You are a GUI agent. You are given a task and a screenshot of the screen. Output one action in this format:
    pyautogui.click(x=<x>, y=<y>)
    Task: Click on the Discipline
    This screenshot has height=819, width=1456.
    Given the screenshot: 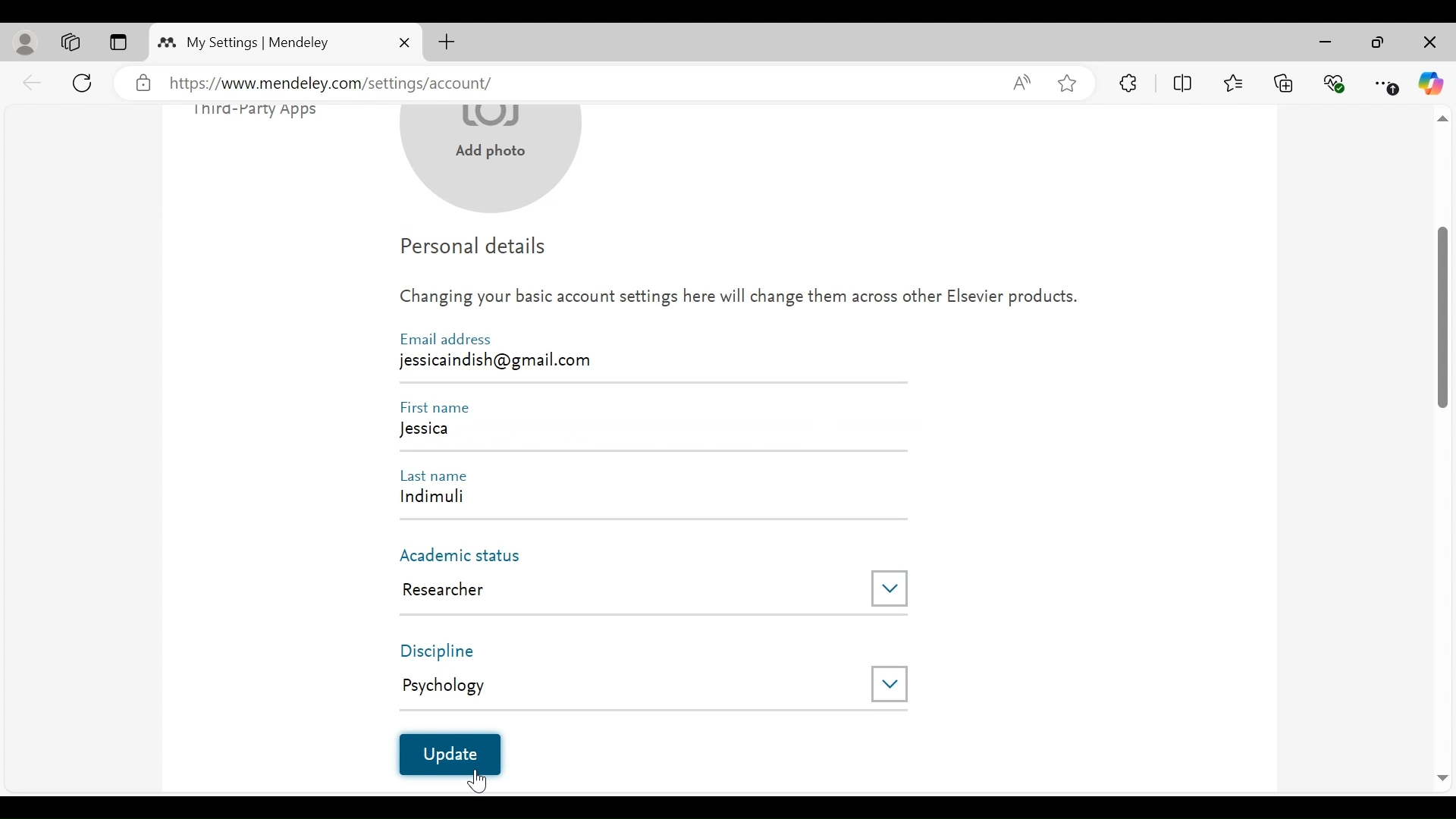 What is the action you would take?
    pyautogui.click(x=451, y=651)
    